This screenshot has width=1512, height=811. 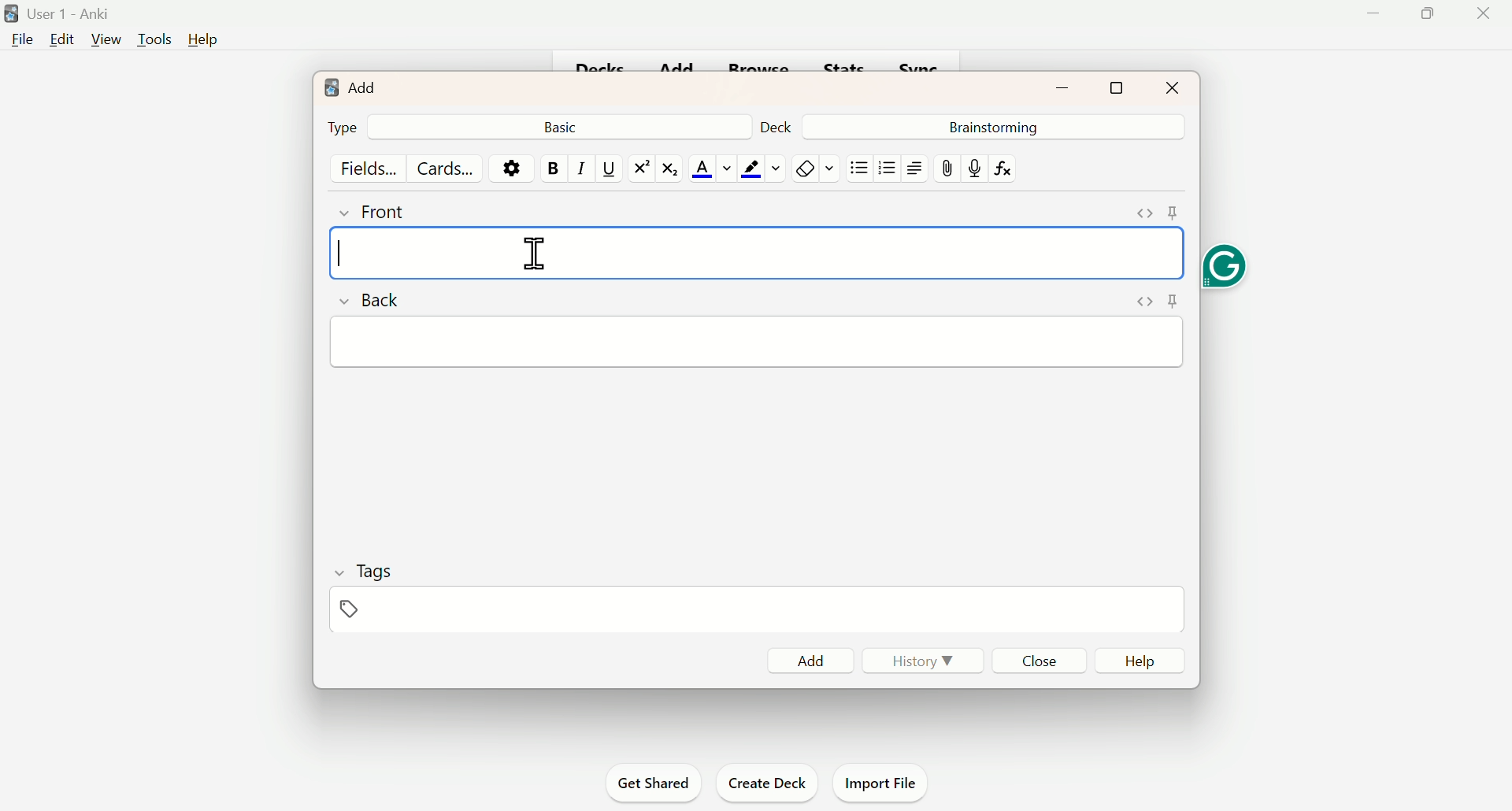 What do you see at coordinates (511, 167) in the screenshot?
I see `Options` at bounding box center [511, 167].